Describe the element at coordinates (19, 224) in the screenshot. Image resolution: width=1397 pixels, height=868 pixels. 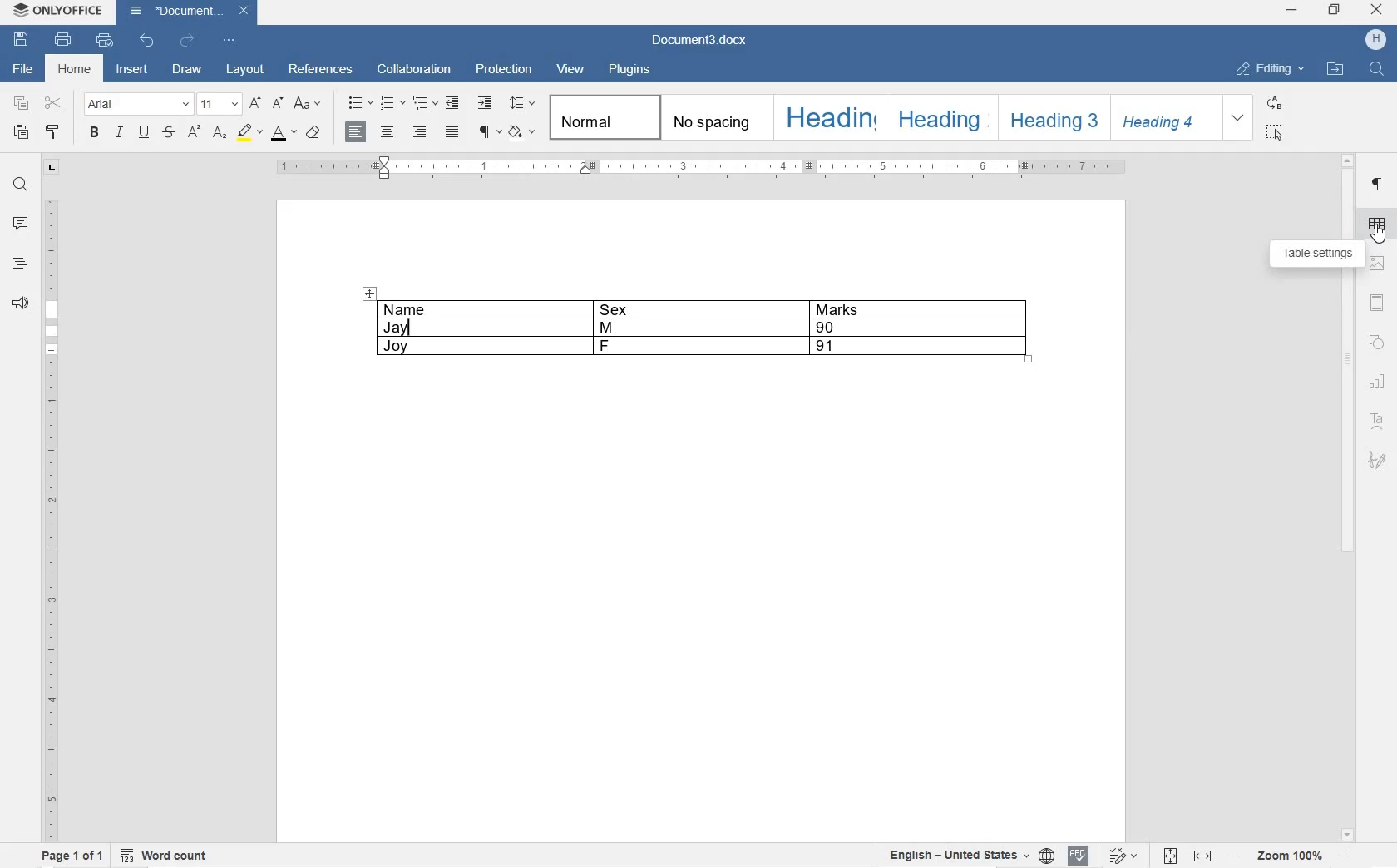
I see `COMMENT` at that location.